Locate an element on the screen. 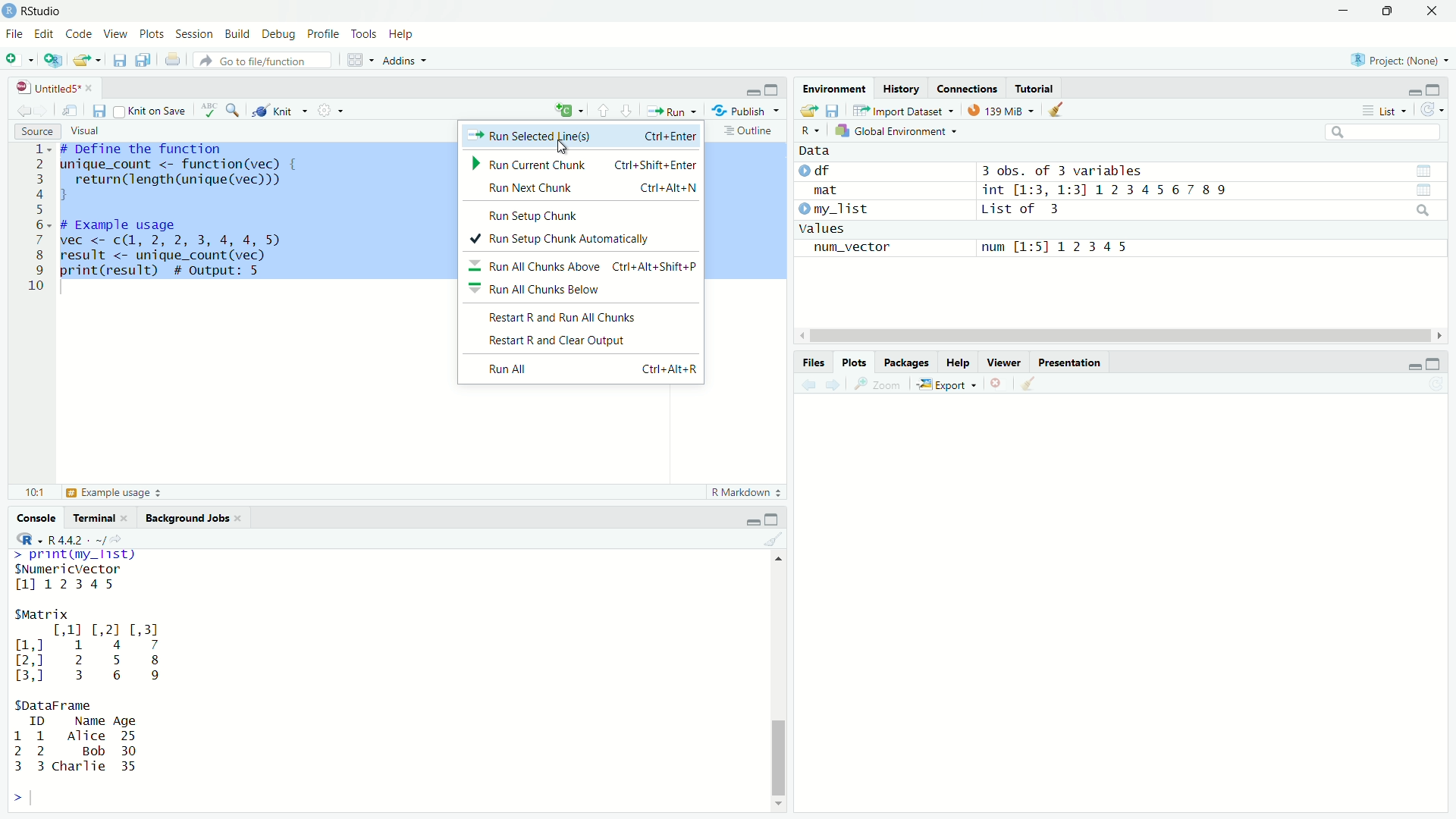 The width and height of the screenshot is (1456, 819). Help is located at coordinates (958, 362).